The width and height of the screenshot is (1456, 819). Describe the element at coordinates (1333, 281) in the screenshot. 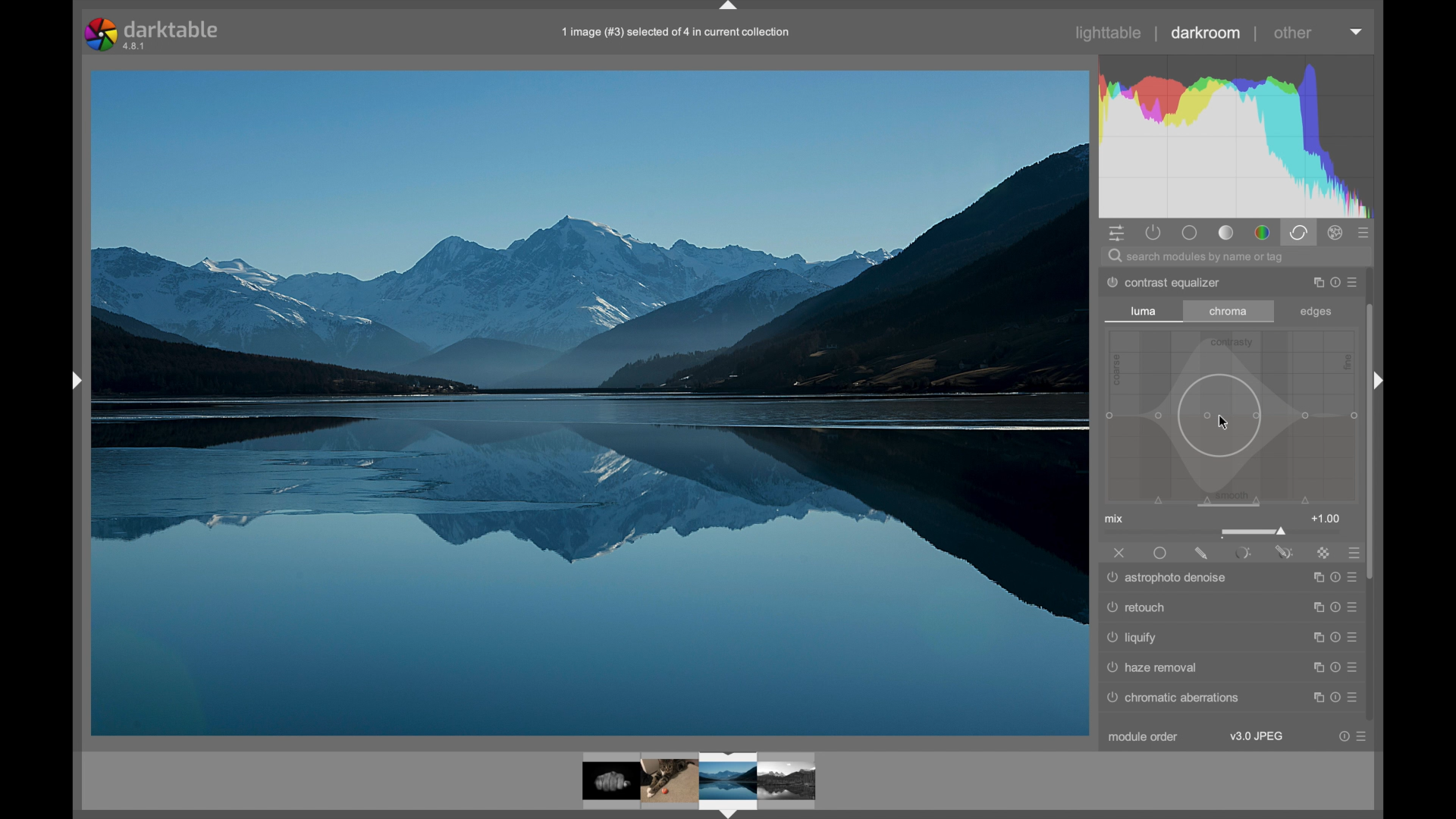

I see `more options` at that location.